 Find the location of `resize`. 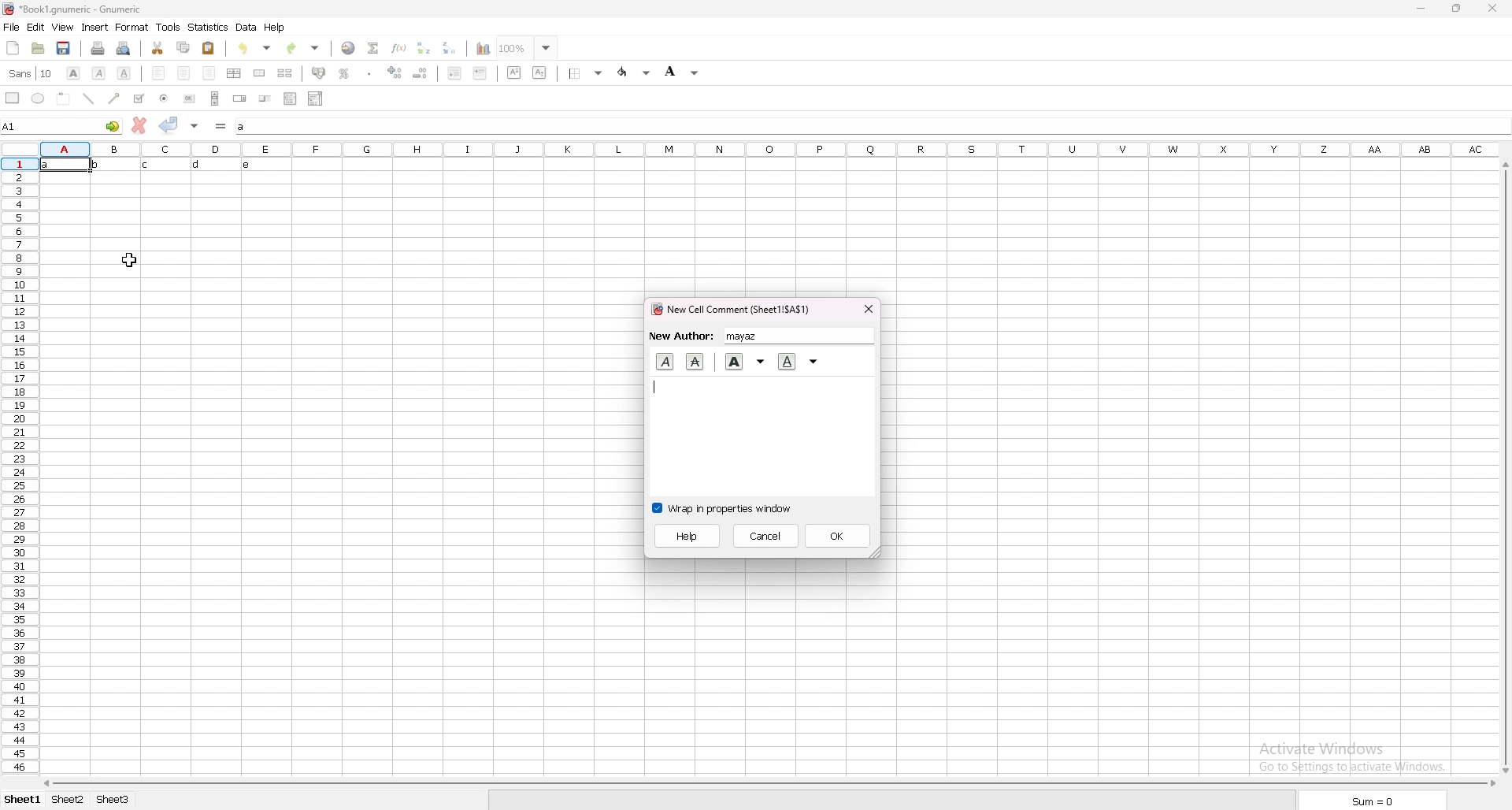

resize is located at coordinates (1455, 9).